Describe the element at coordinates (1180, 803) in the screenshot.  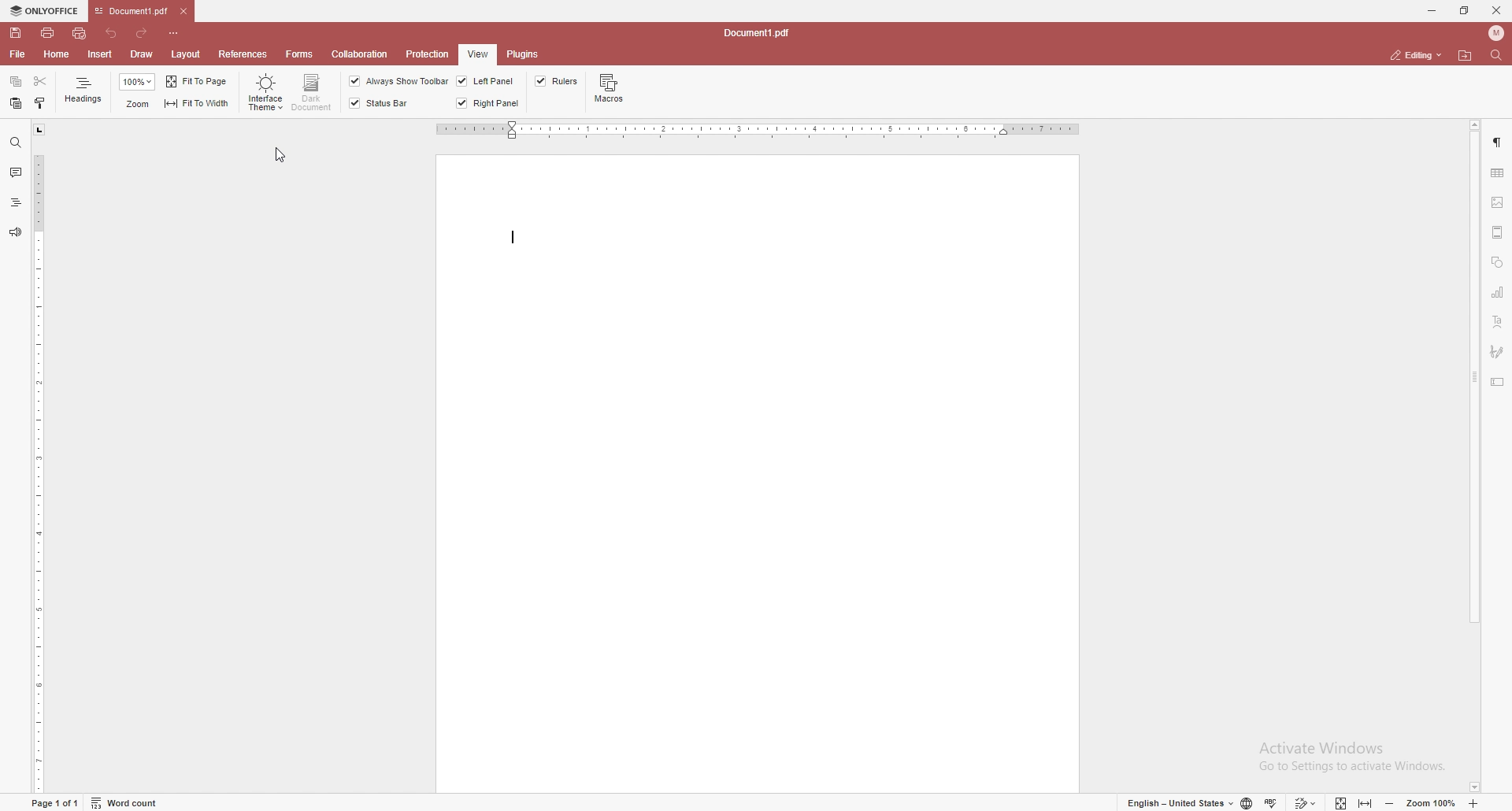
I see `change text language` at that location.